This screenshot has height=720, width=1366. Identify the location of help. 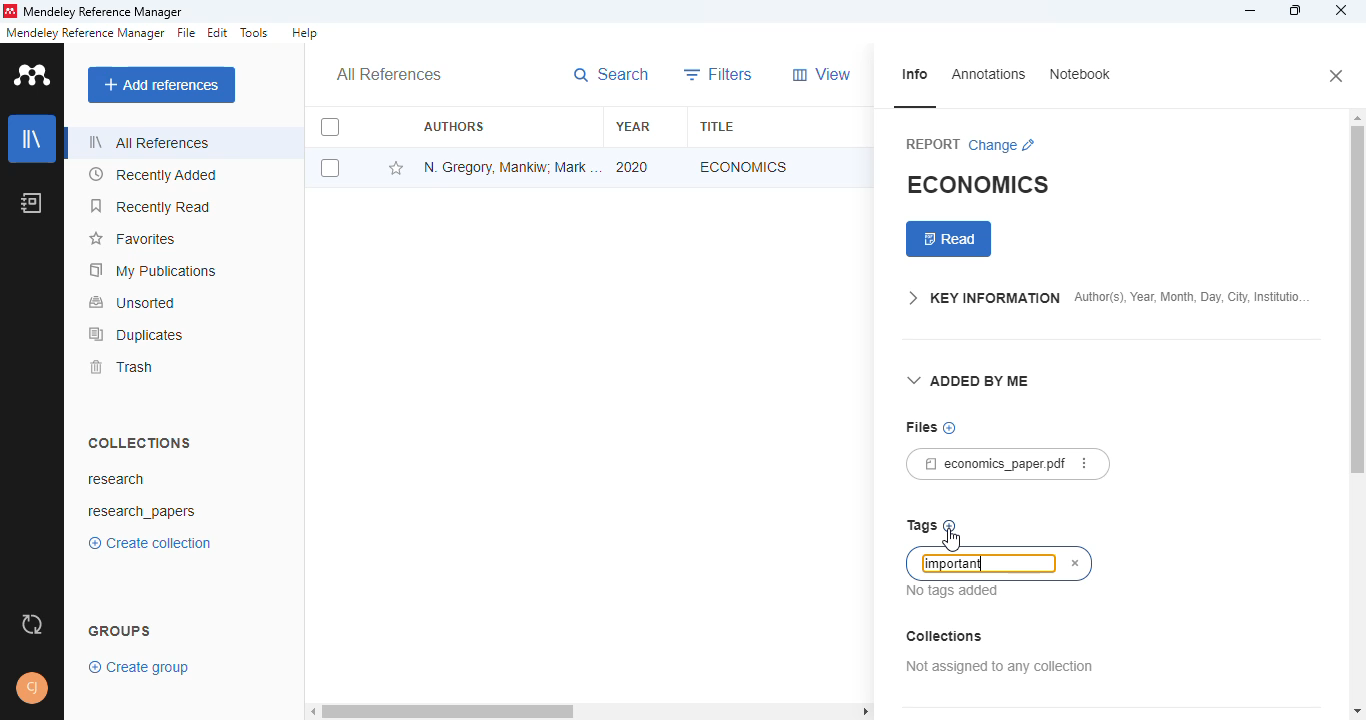
(304, 33).